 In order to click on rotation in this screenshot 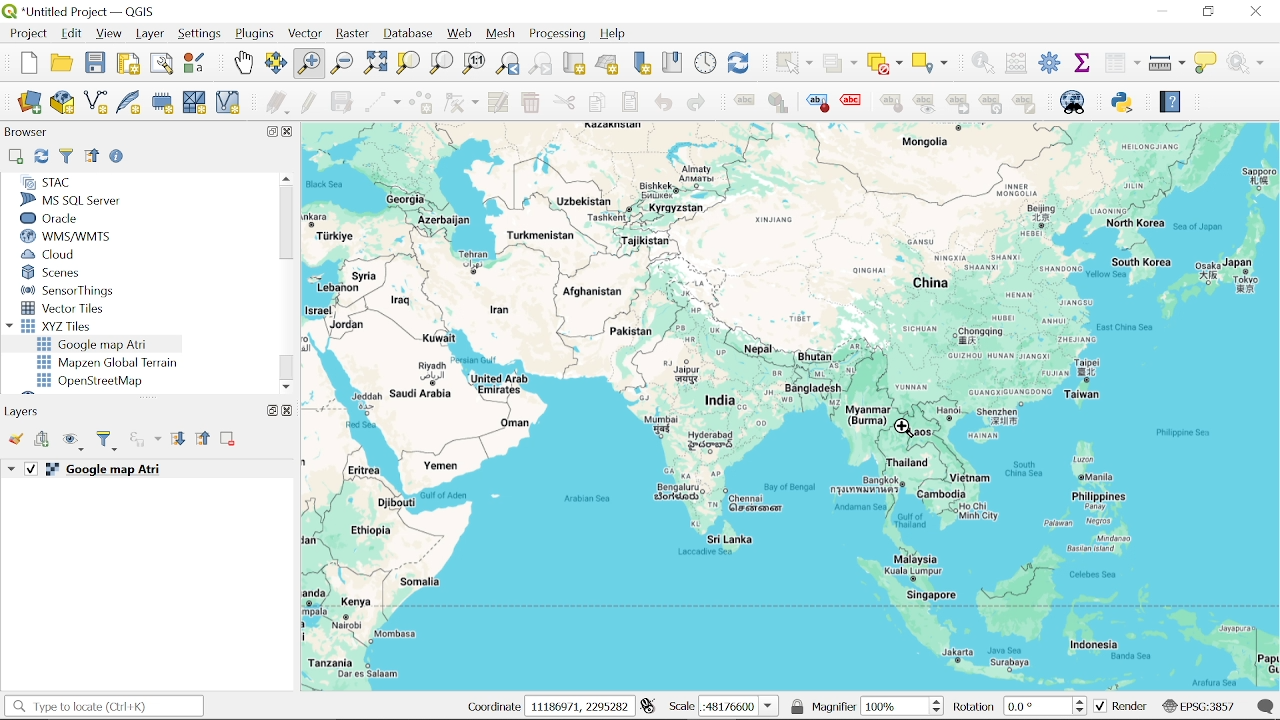, I will do `click(975, 708)`.